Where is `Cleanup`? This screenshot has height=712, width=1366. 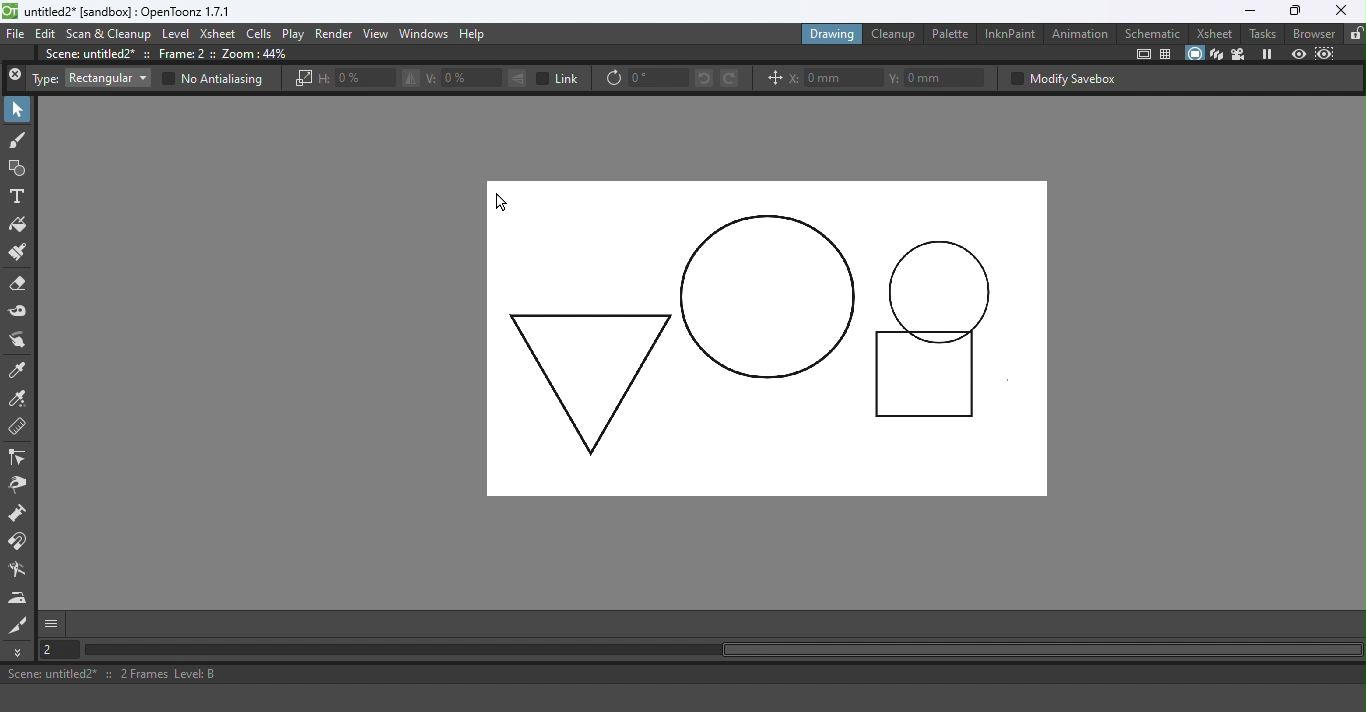 Cleanup is located at coordinates (894, 34).